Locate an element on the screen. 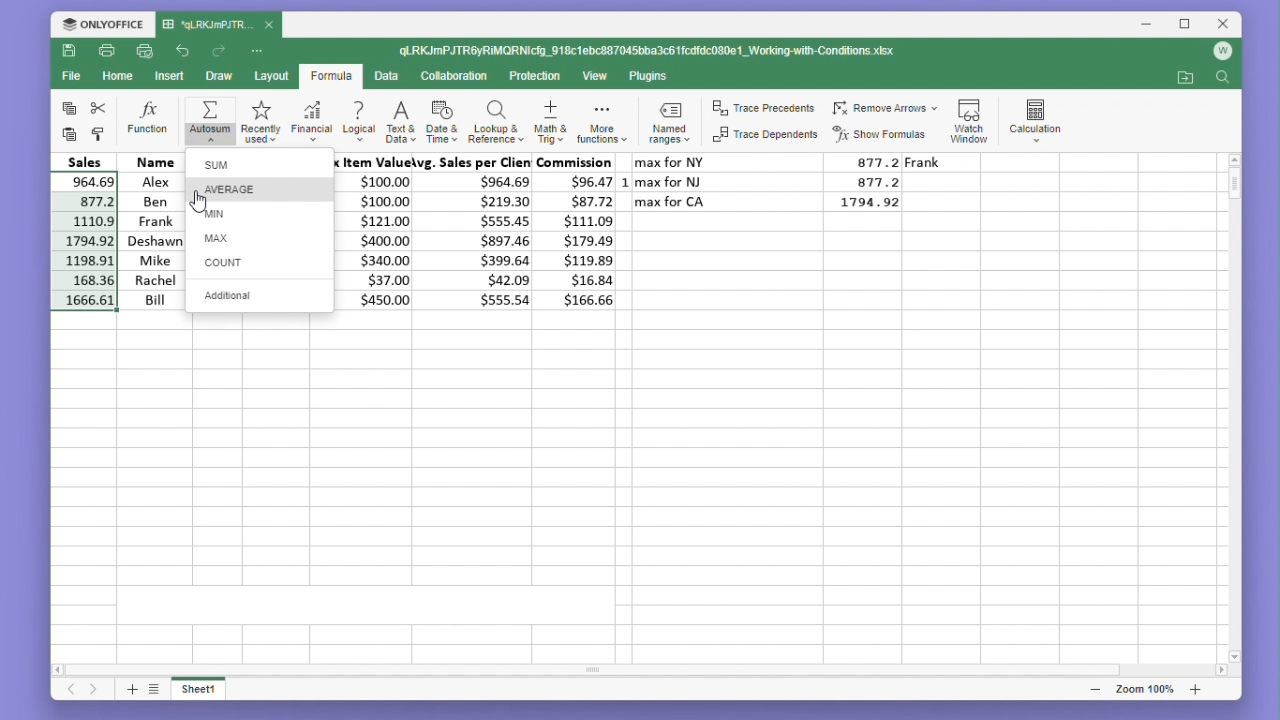 This screenshot has height=720, width=1280. copy is located at coordinates (66, 108).